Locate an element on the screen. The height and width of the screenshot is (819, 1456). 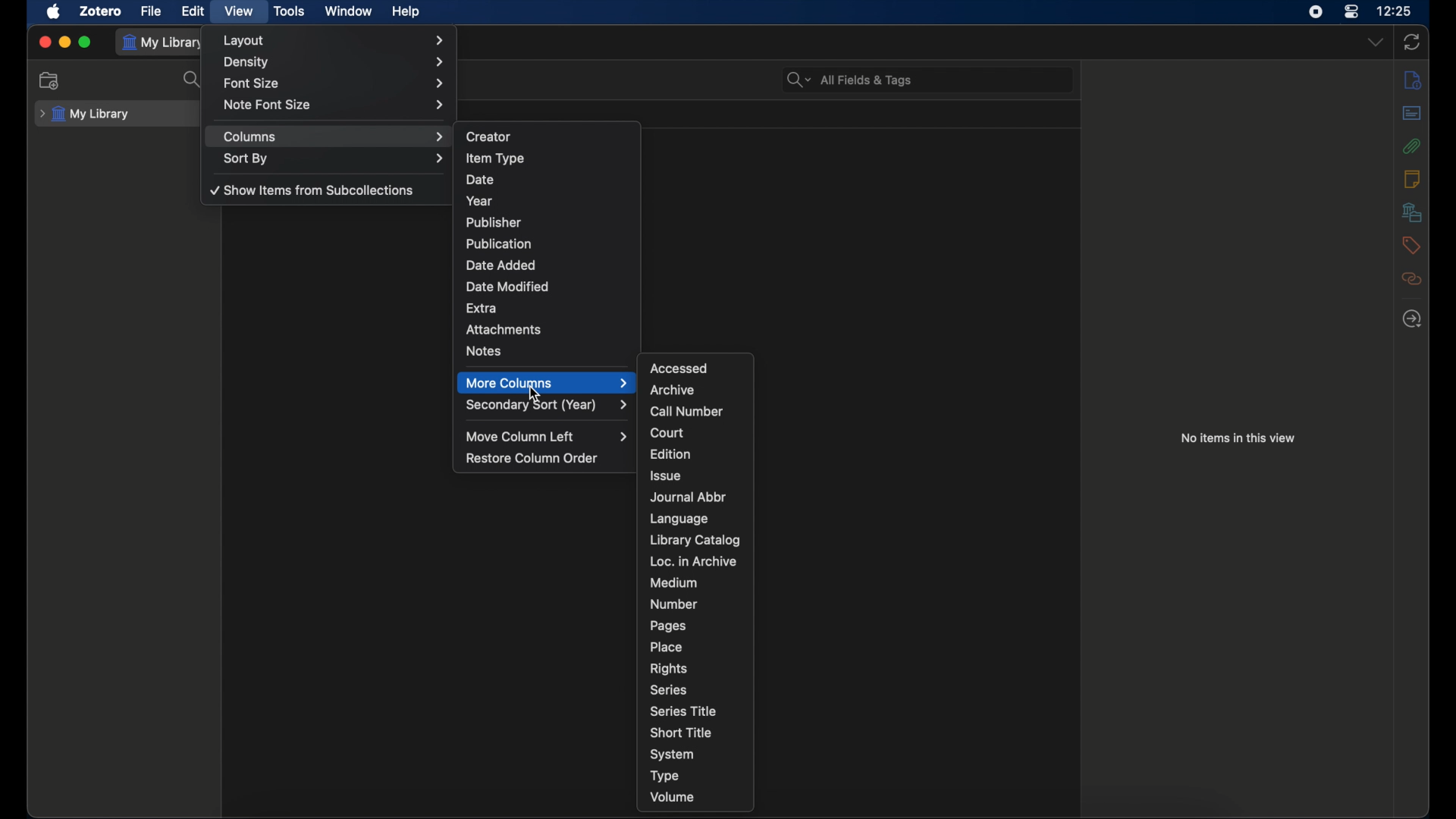
restore column order is located at coordinates (532, 457).